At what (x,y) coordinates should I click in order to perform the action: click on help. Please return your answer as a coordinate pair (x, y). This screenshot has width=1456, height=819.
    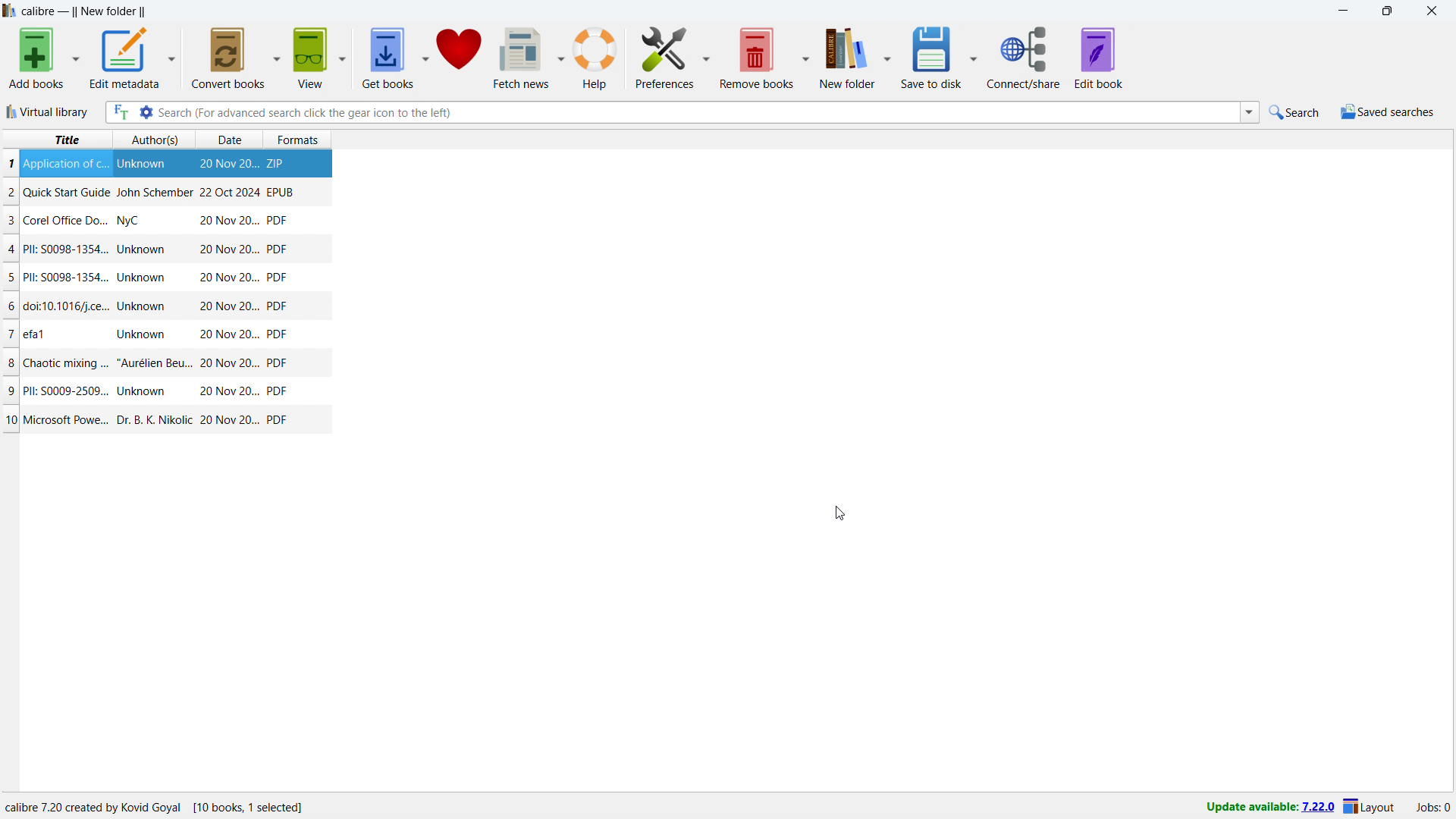
    Looking at the image, I should click on (595, 58).